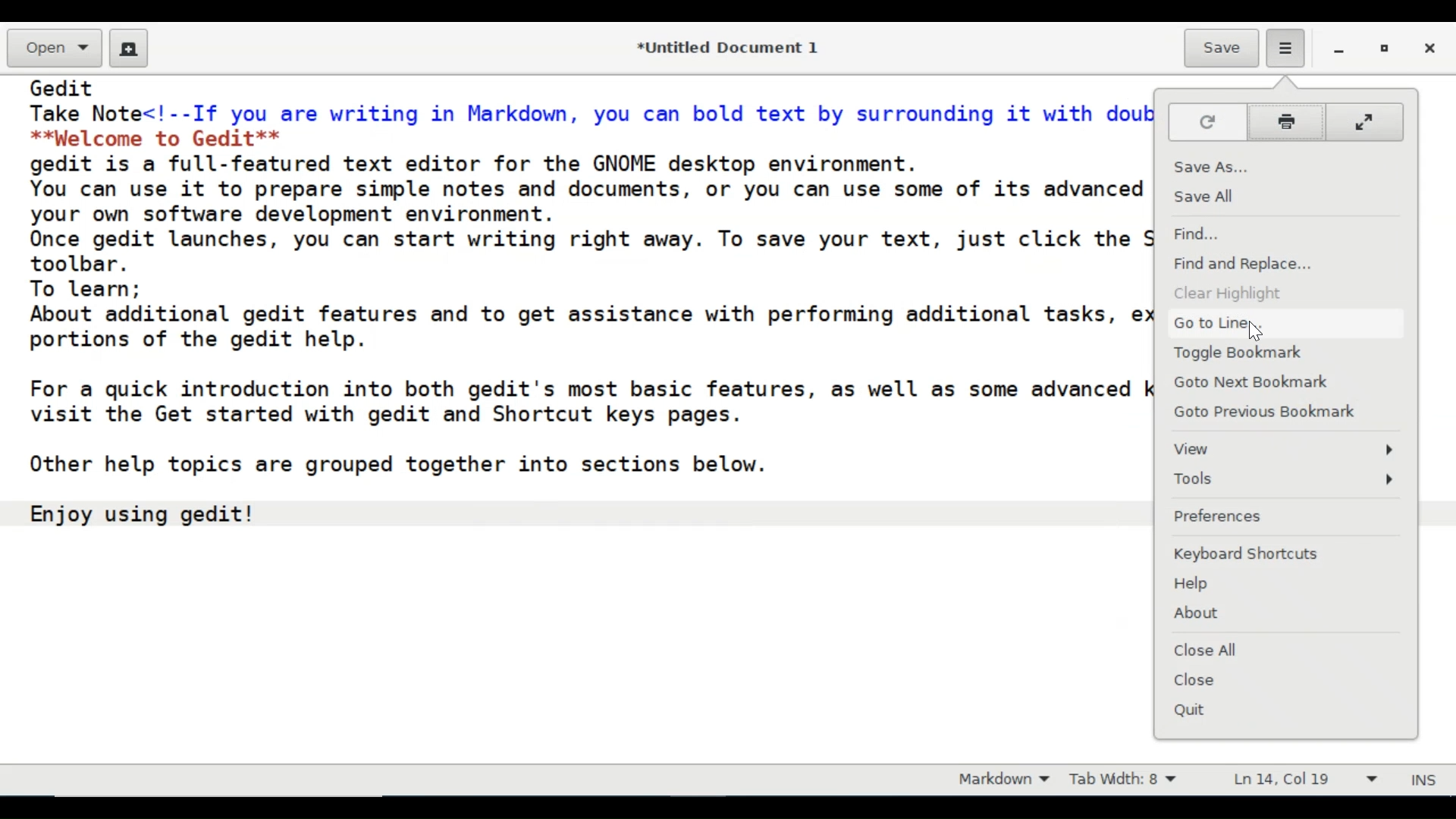 The height and width of the screenshot is (819, 1456). Describe the element at coordinates (1228, 293) in the screenshot. I see `Clear Highlight` at that location.